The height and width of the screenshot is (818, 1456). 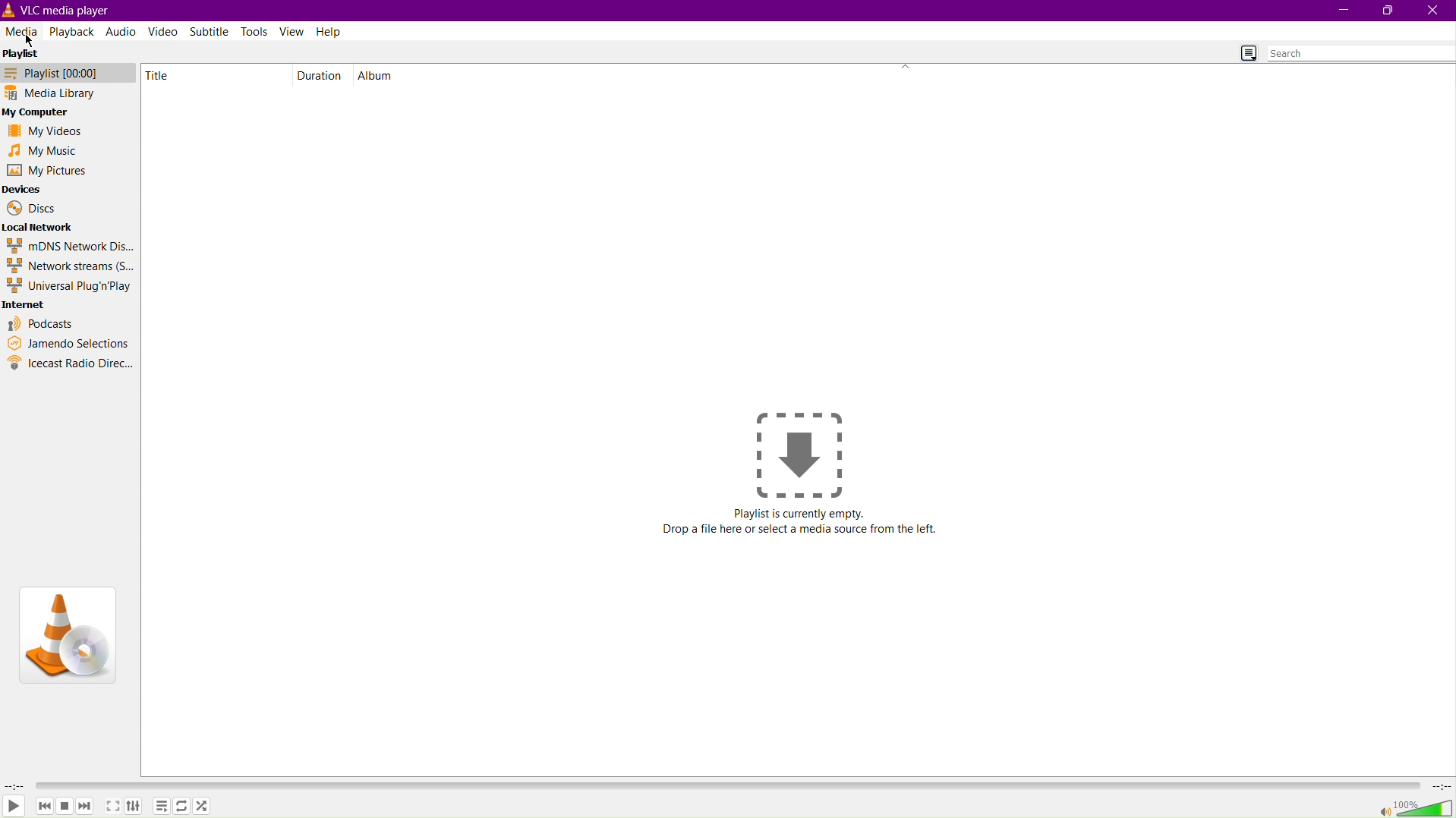 What do you see at coordinates (73, 32) in the screenshot?
I see `Playback` at bounding box center [73, 32].